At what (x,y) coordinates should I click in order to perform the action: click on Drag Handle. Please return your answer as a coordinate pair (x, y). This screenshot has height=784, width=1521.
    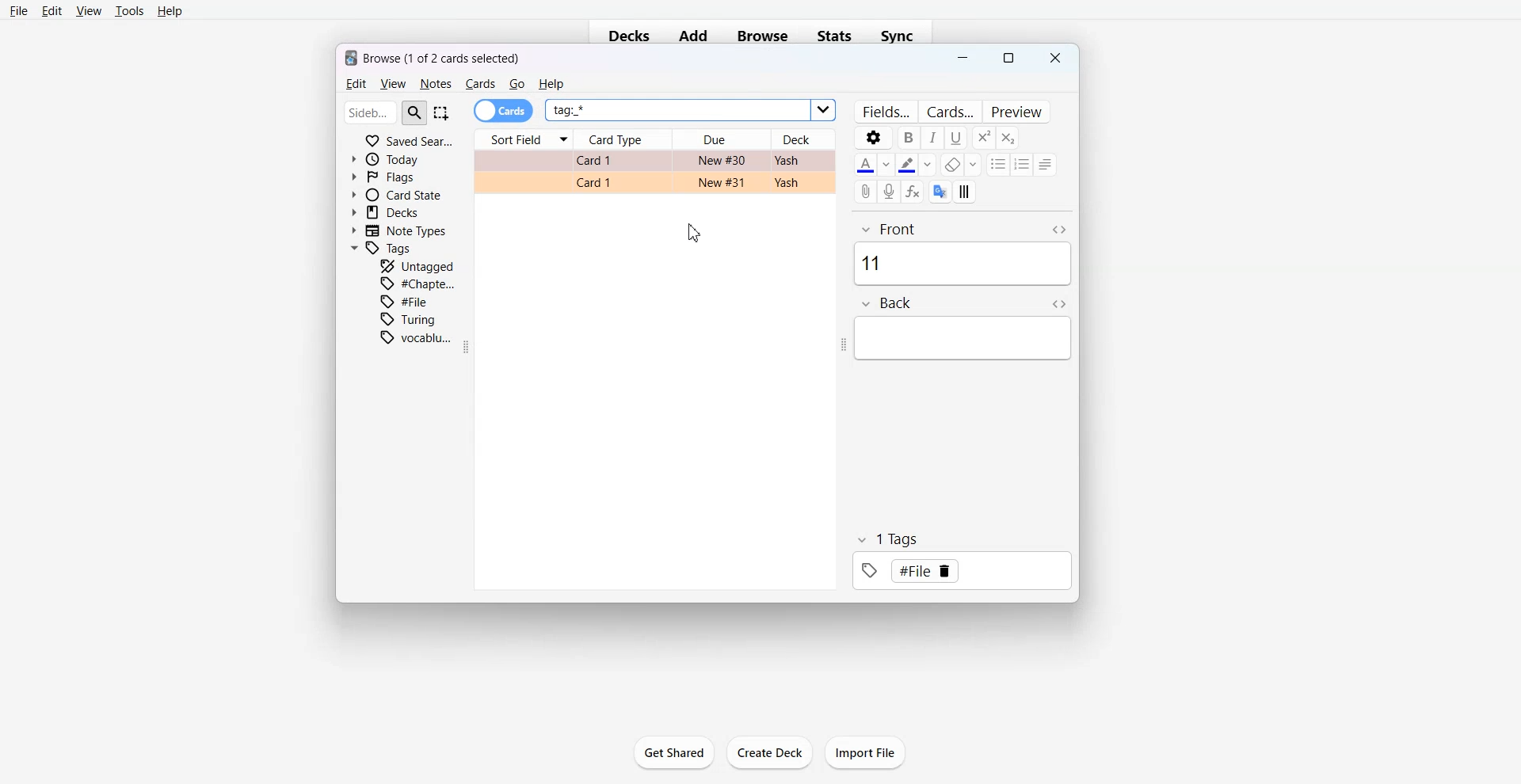
    Looking at the image, I should click on (469, 347).